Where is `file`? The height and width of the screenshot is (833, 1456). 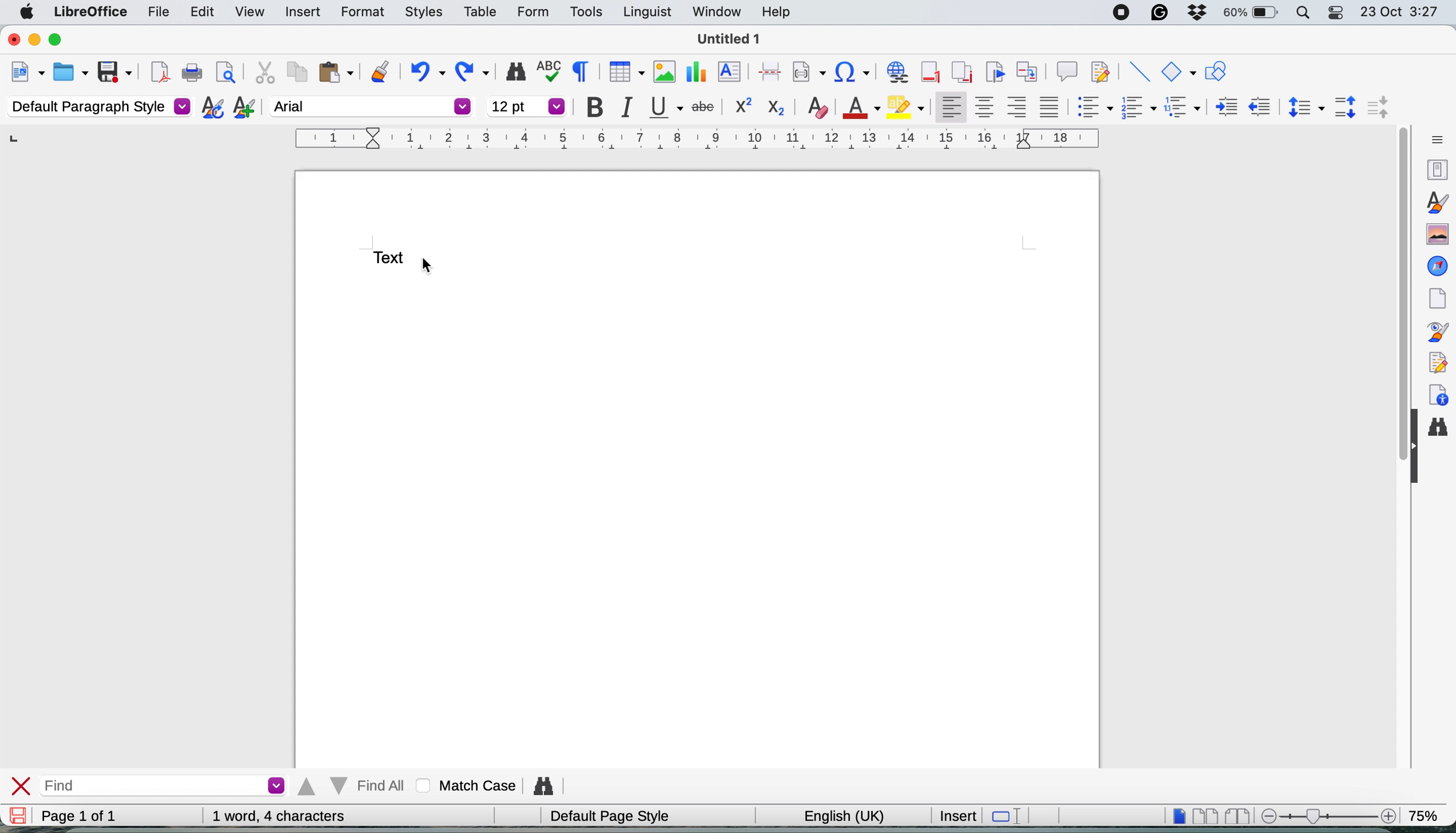
file is located at coordinates (153, 13).